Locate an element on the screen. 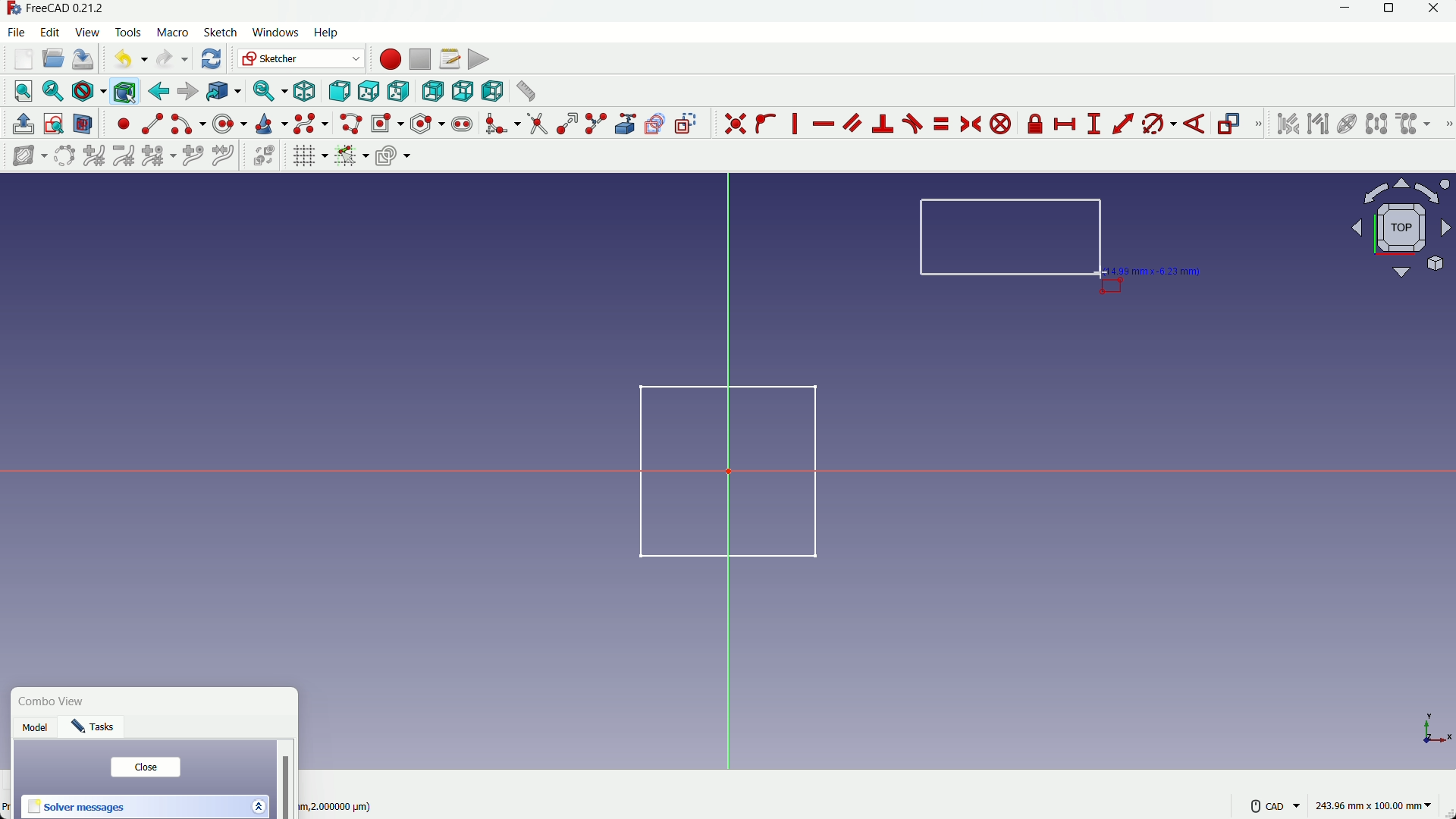 Image resolution: width=1456 pixels, height=819 pixels. tasks is located at coordinates (97, 730).